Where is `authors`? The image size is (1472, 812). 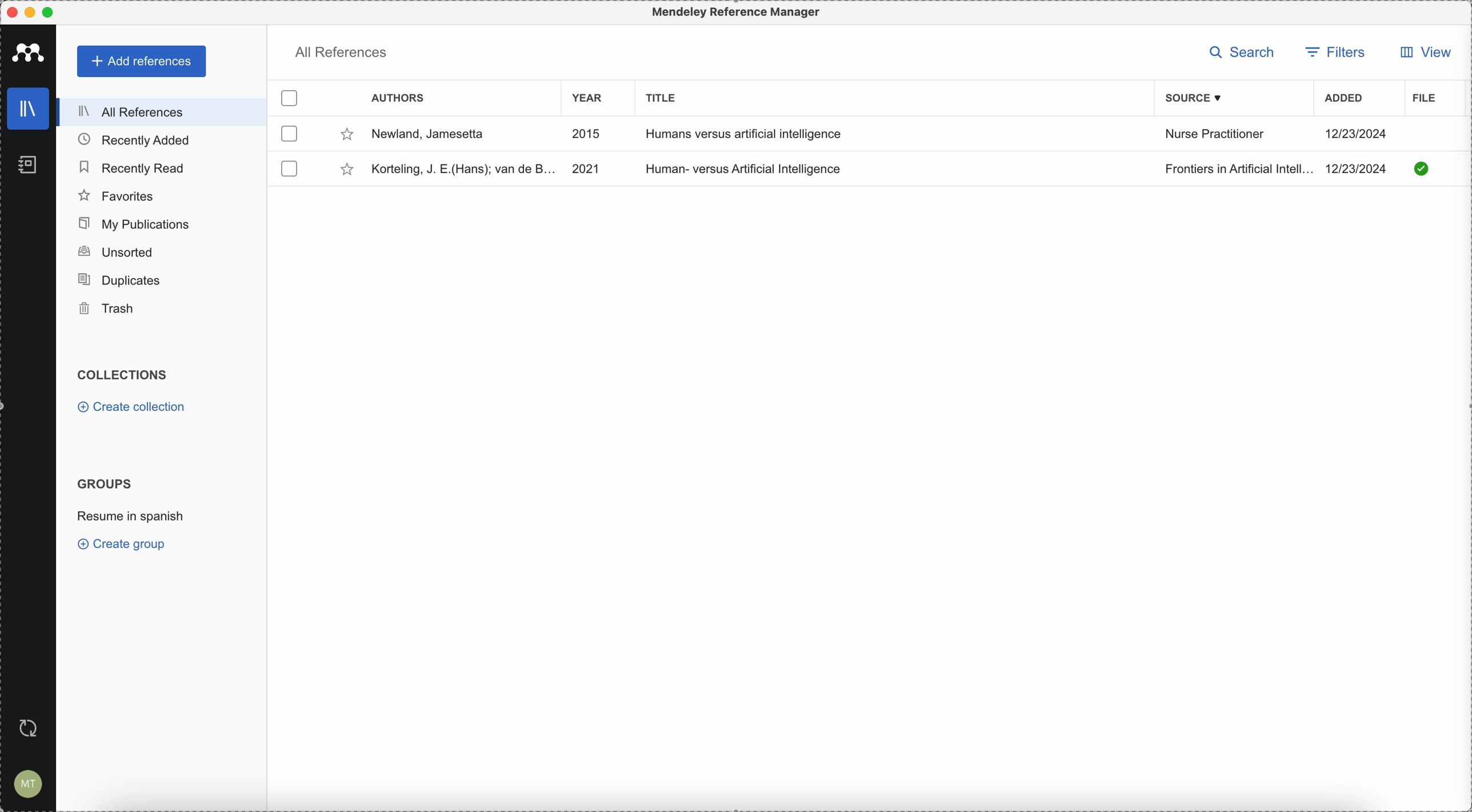
authors is located at coordinates (397, 98).